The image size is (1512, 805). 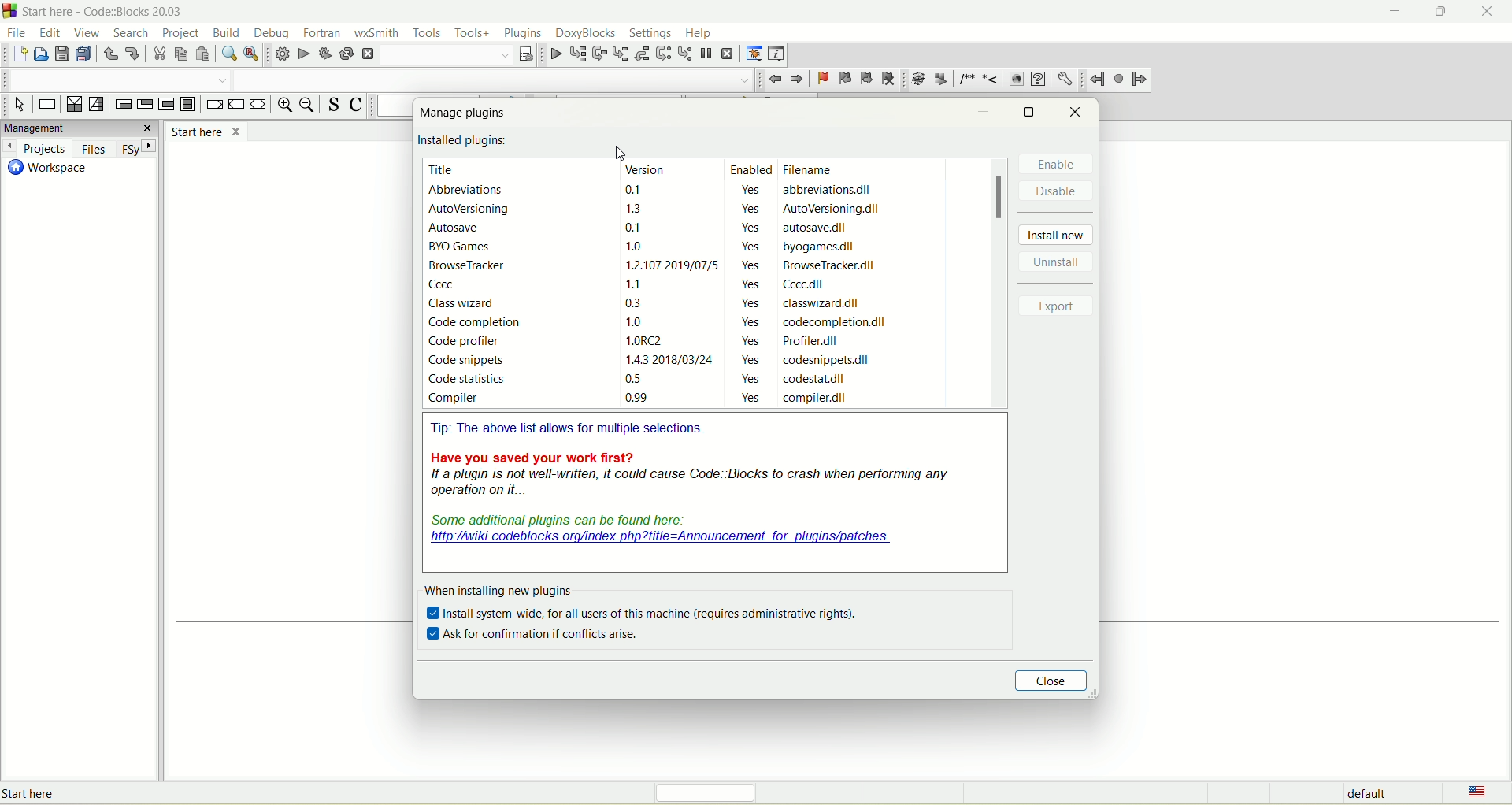 I want to click on various info, so click(x=777, y=53).